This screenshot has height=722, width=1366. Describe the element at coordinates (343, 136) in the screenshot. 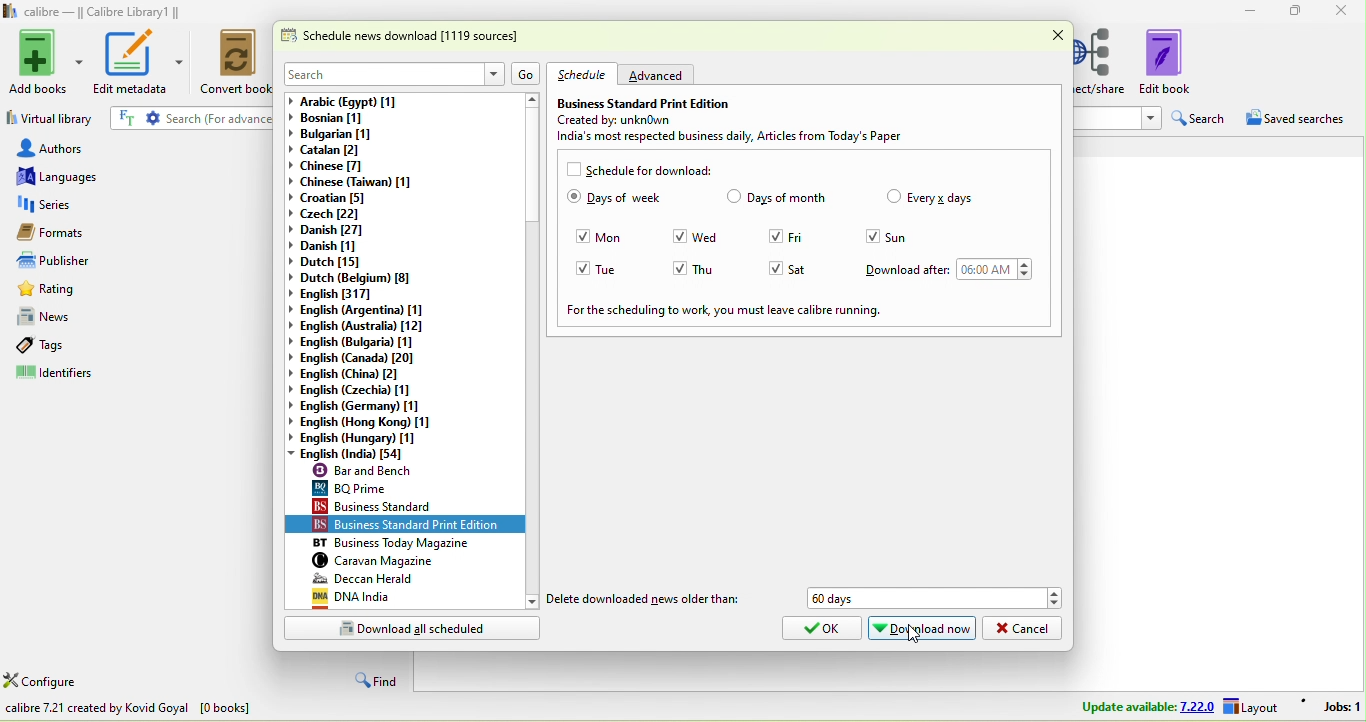

I see `bulgarian [1]` at that location.